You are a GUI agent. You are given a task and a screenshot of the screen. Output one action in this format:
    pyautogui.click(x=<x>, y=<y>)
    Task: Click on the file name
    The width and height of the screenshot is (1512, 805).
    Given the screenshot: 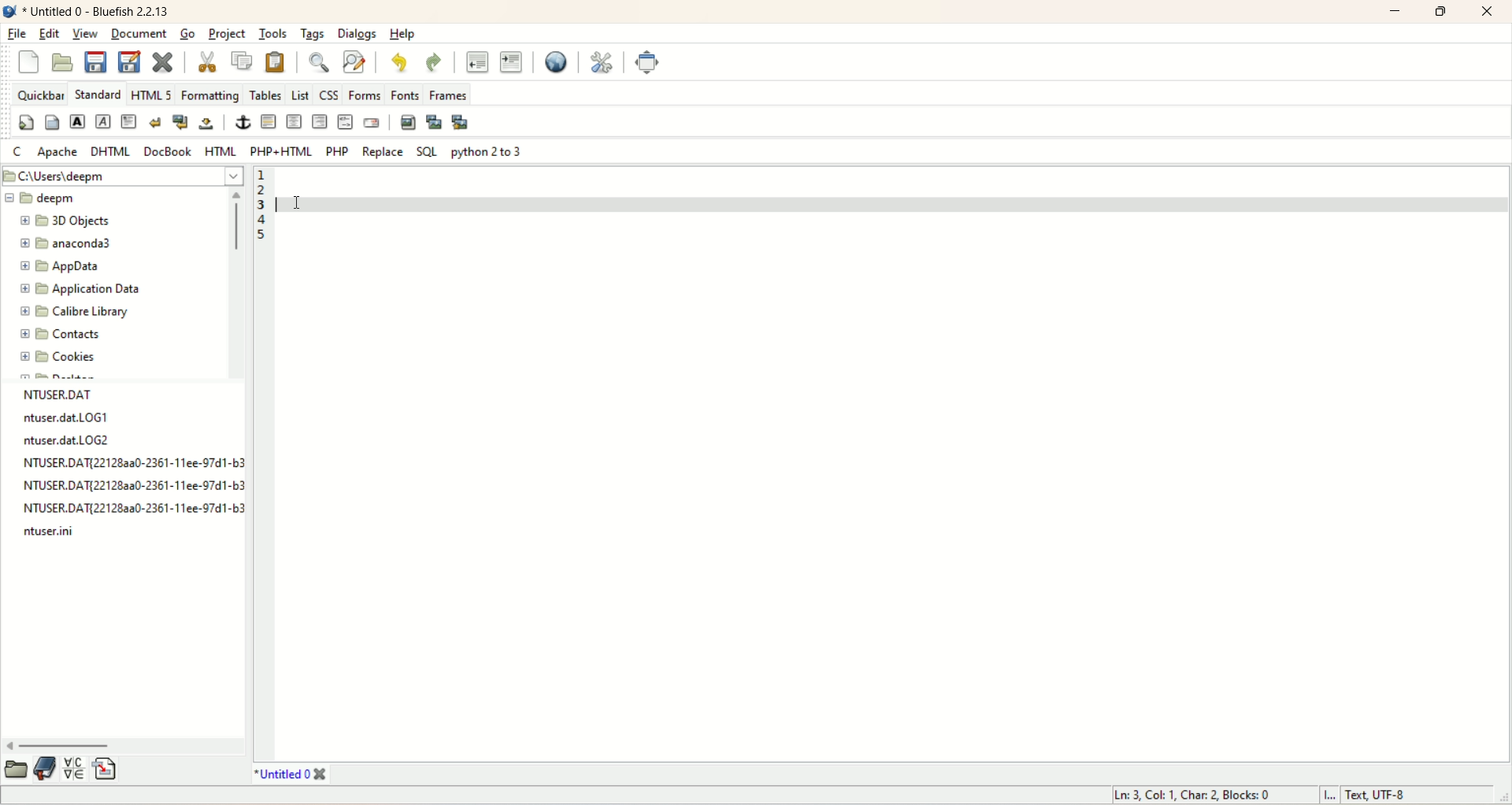 What is the action you would take?
    pyautogui.click(x=61, y=531)
    